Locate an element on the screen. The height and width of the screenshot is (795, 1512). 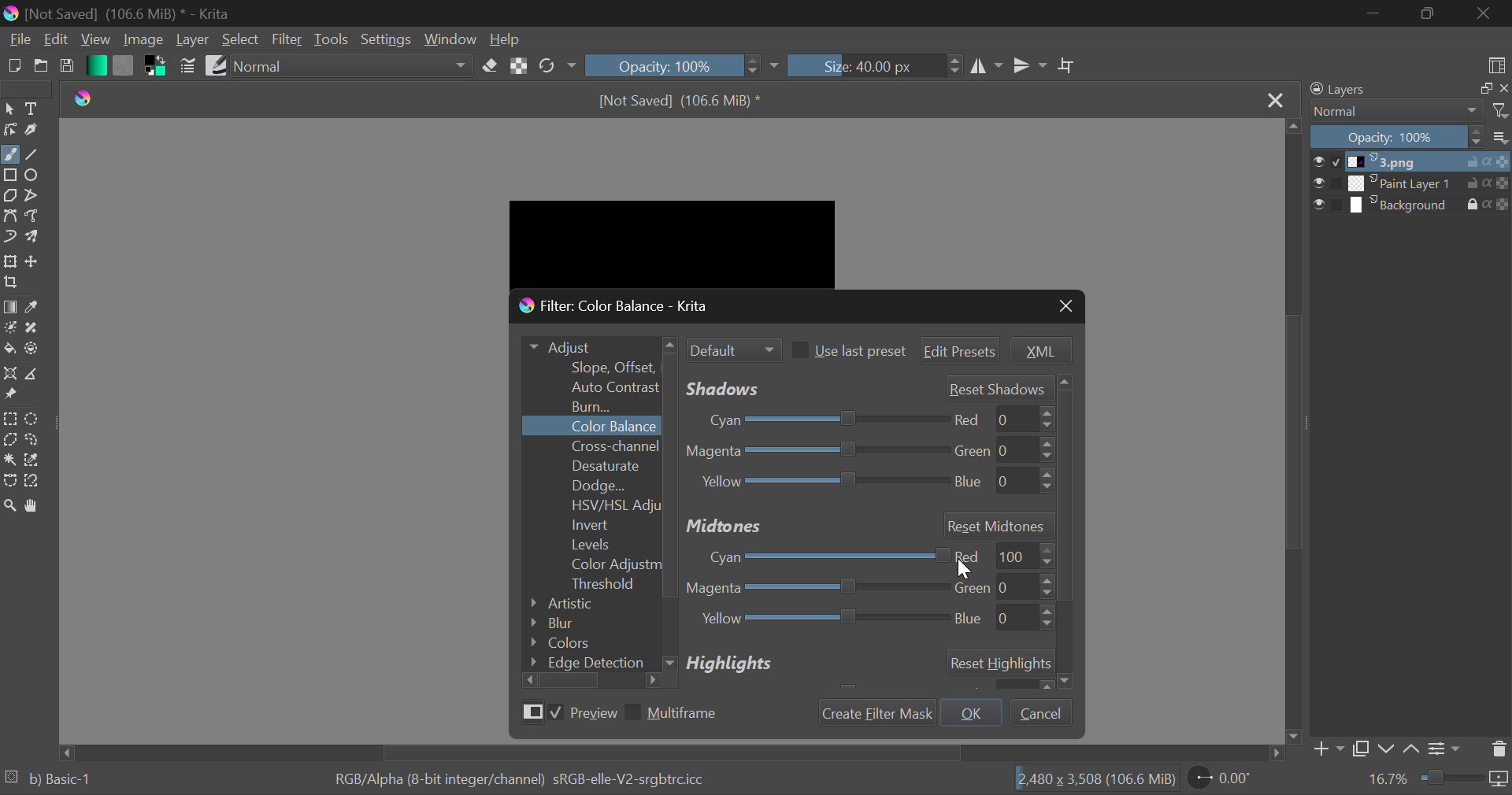
Minimize is located at coordinates (1426, 13).